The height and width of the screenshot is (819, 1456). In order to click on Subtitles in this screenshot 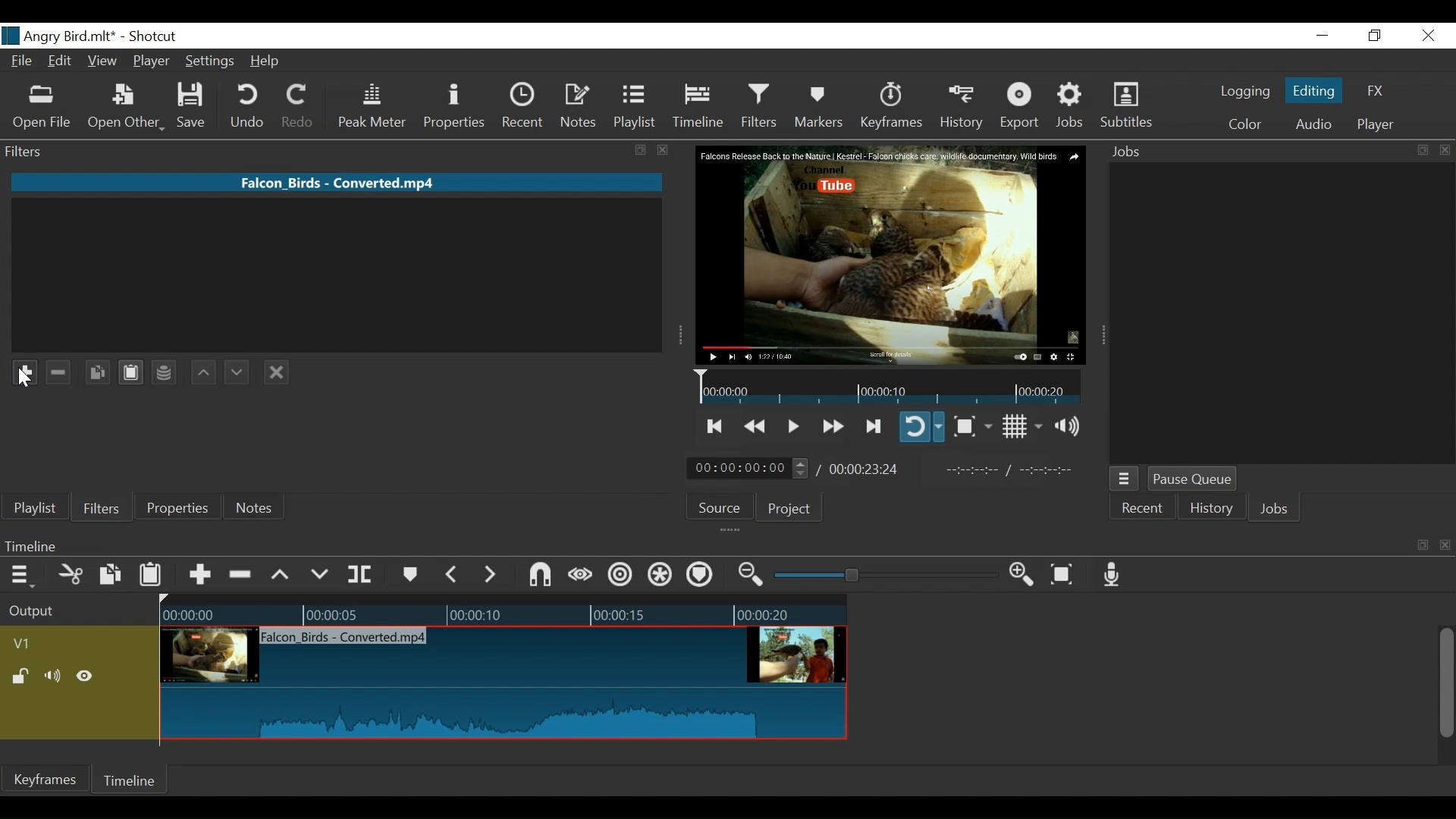, I will do `click(1126, 105)`.